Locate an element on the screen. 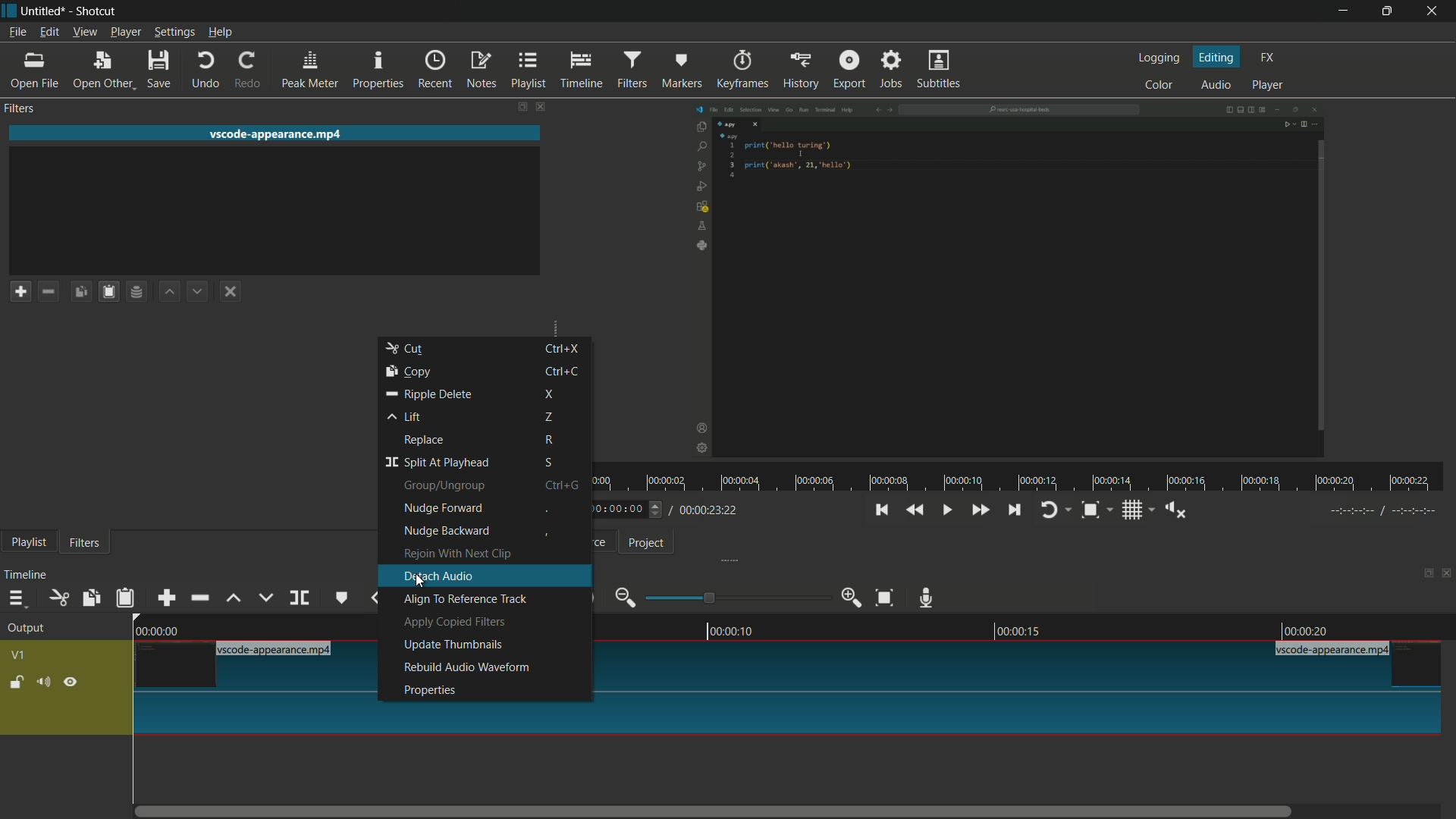 The image size is (1456, 819). z is located at coordinates (557, 418).